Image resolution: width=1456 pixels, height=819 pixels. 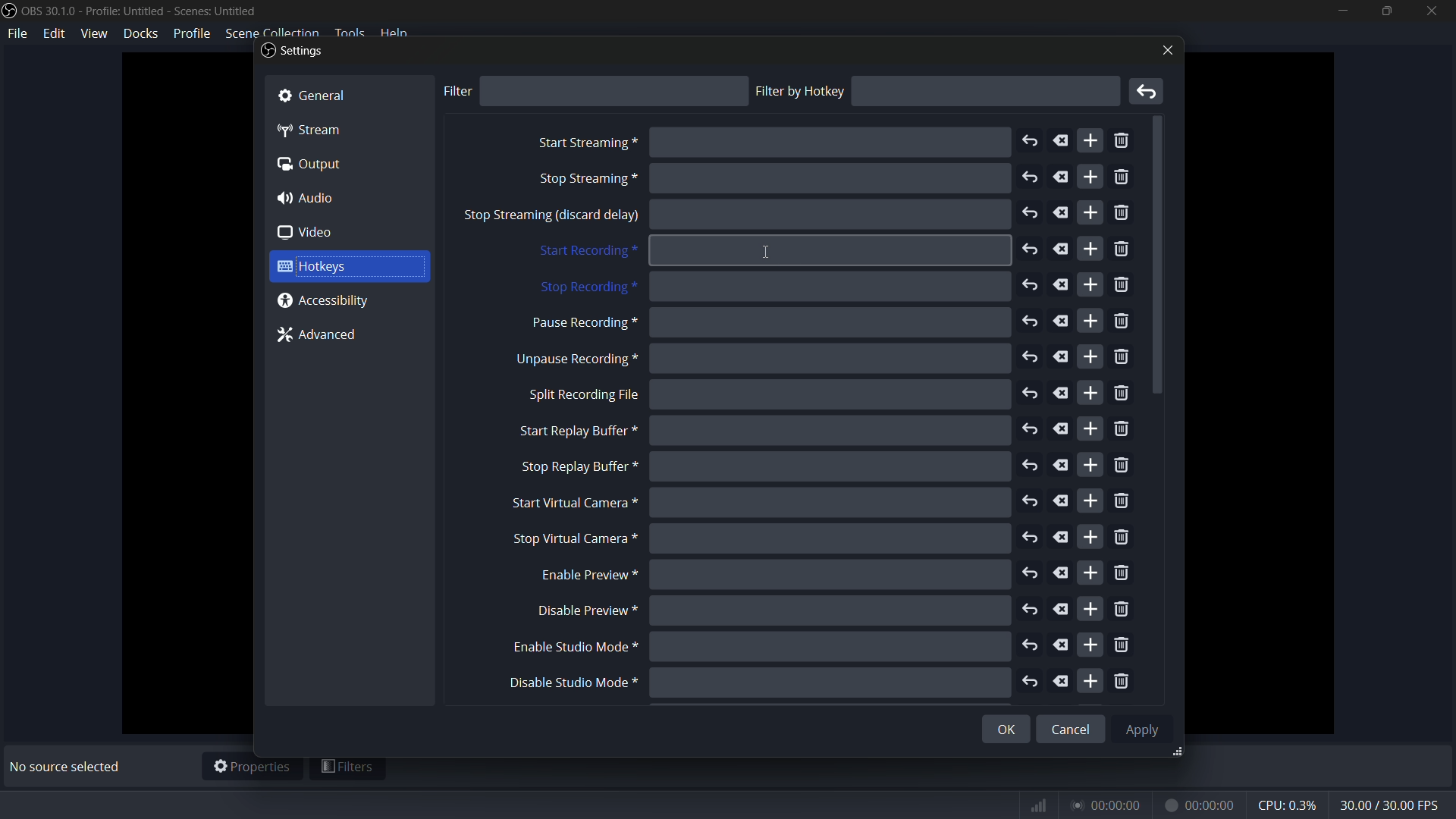 What do you see at coordinates (1165, 50) in the screenshot?
I see `close` at bounding box center [1165, 50].